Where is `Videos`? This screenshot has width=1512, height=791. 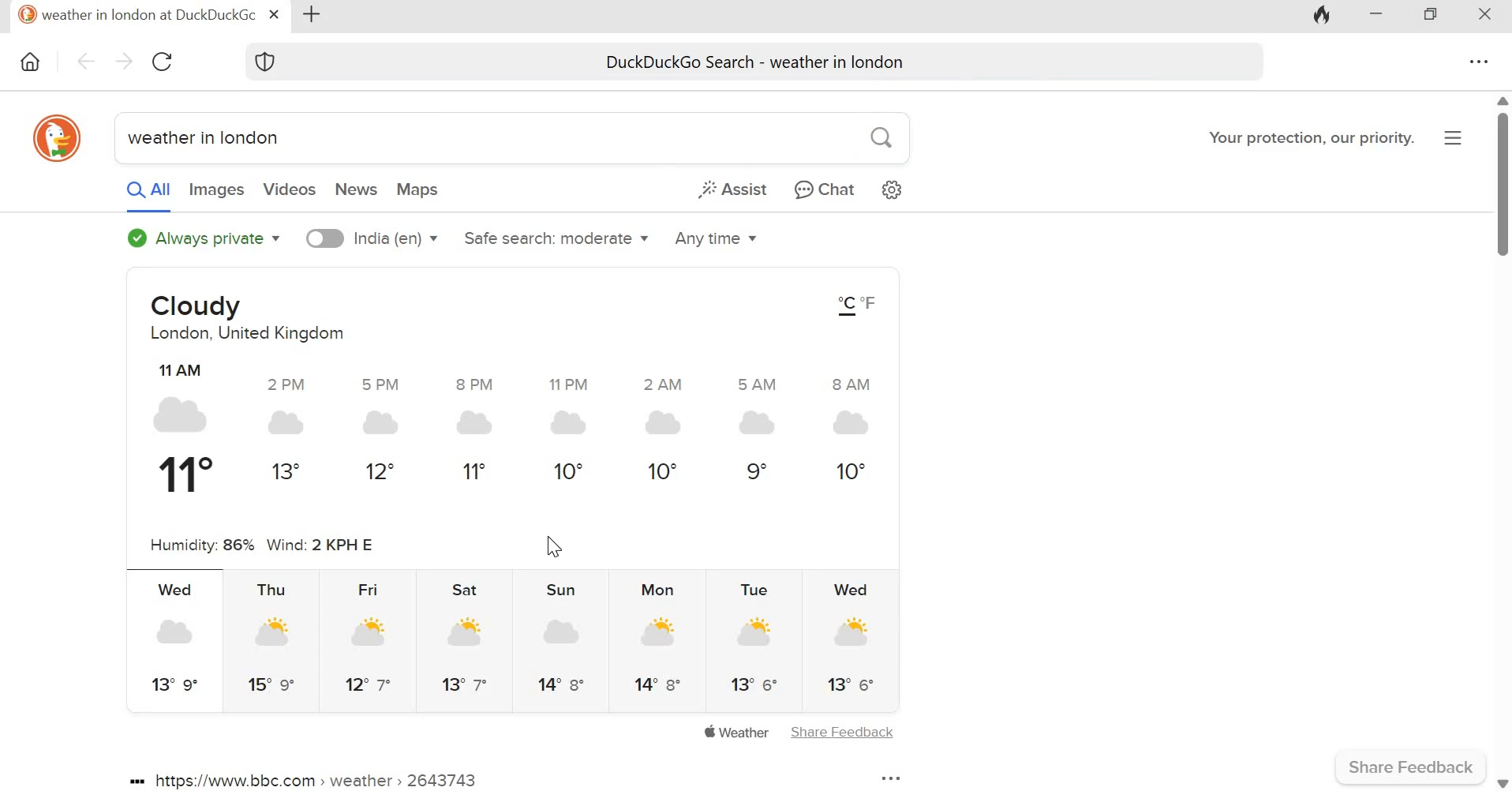
Videos is located at coordinates (289, 189).